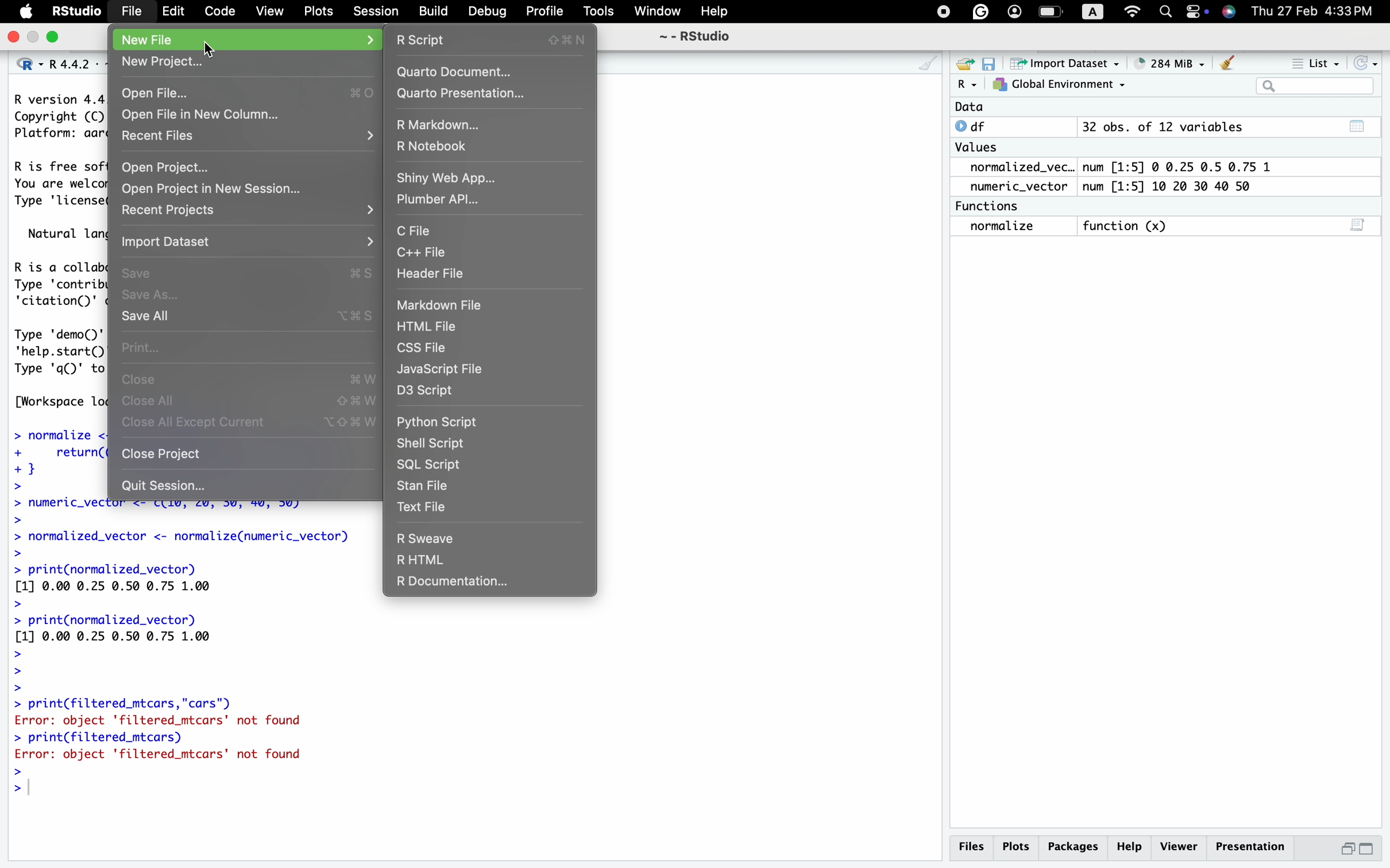 Image resolution: width=1390 pixels, height=868 pixels. I want to click on maximise, so click(1368, 848).